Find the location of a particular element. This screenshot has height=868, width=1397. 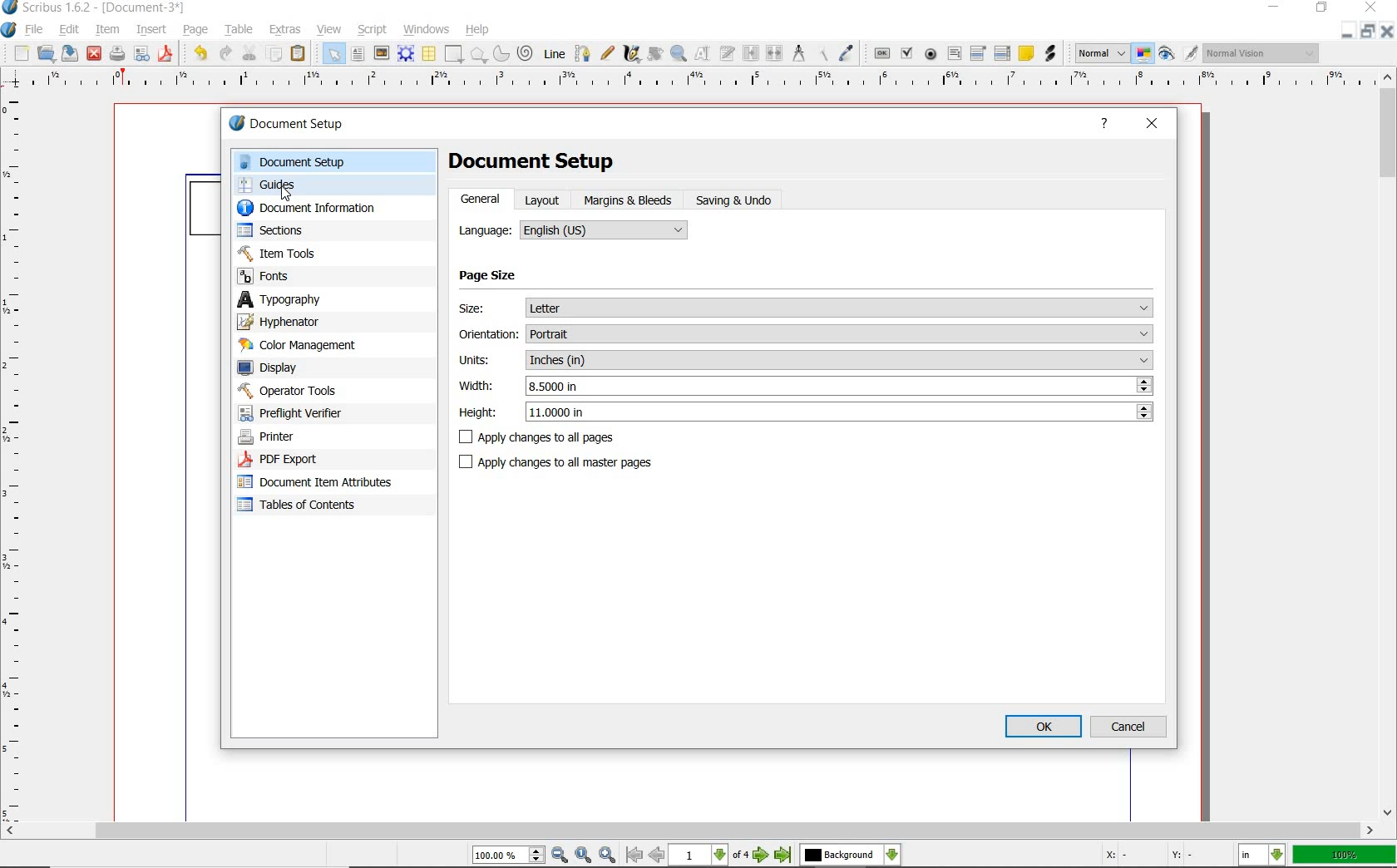

general is located at coordinates (484, 199).